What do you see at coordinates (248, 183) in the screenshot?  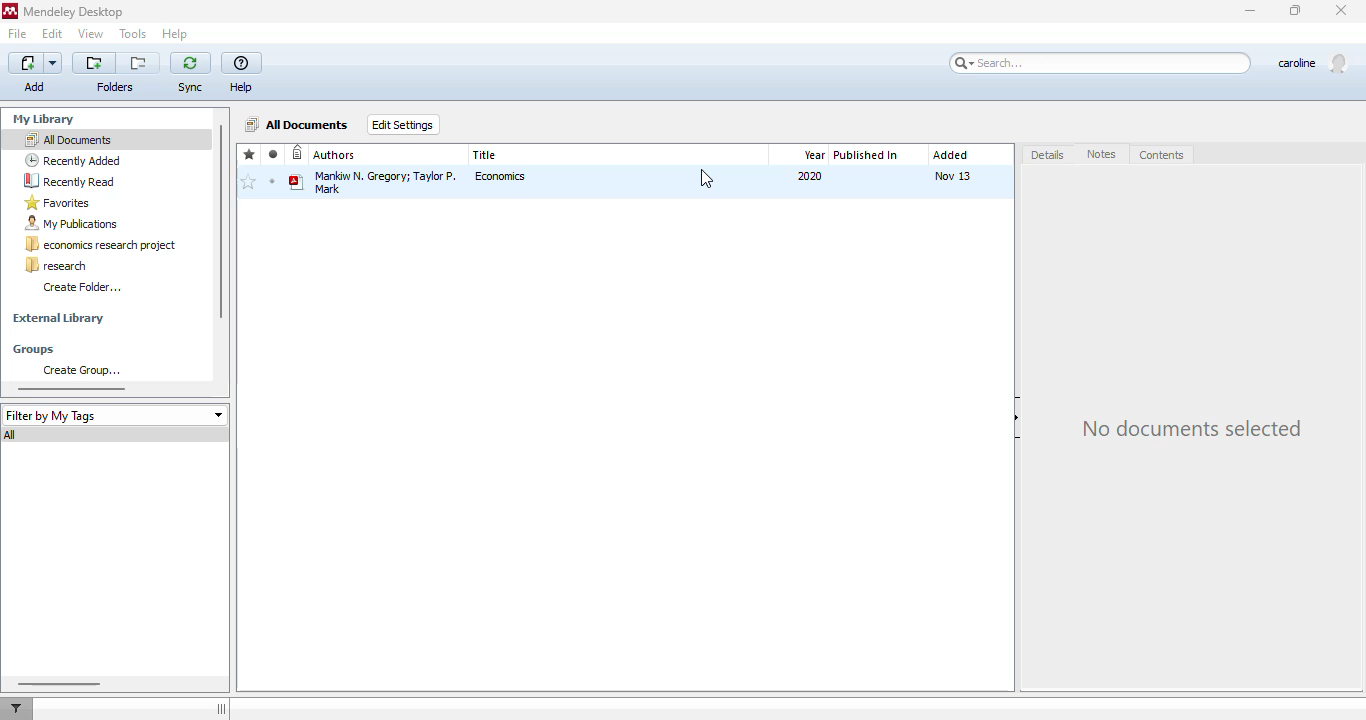 I see `add to favorites` at bounding box center [248, 183].